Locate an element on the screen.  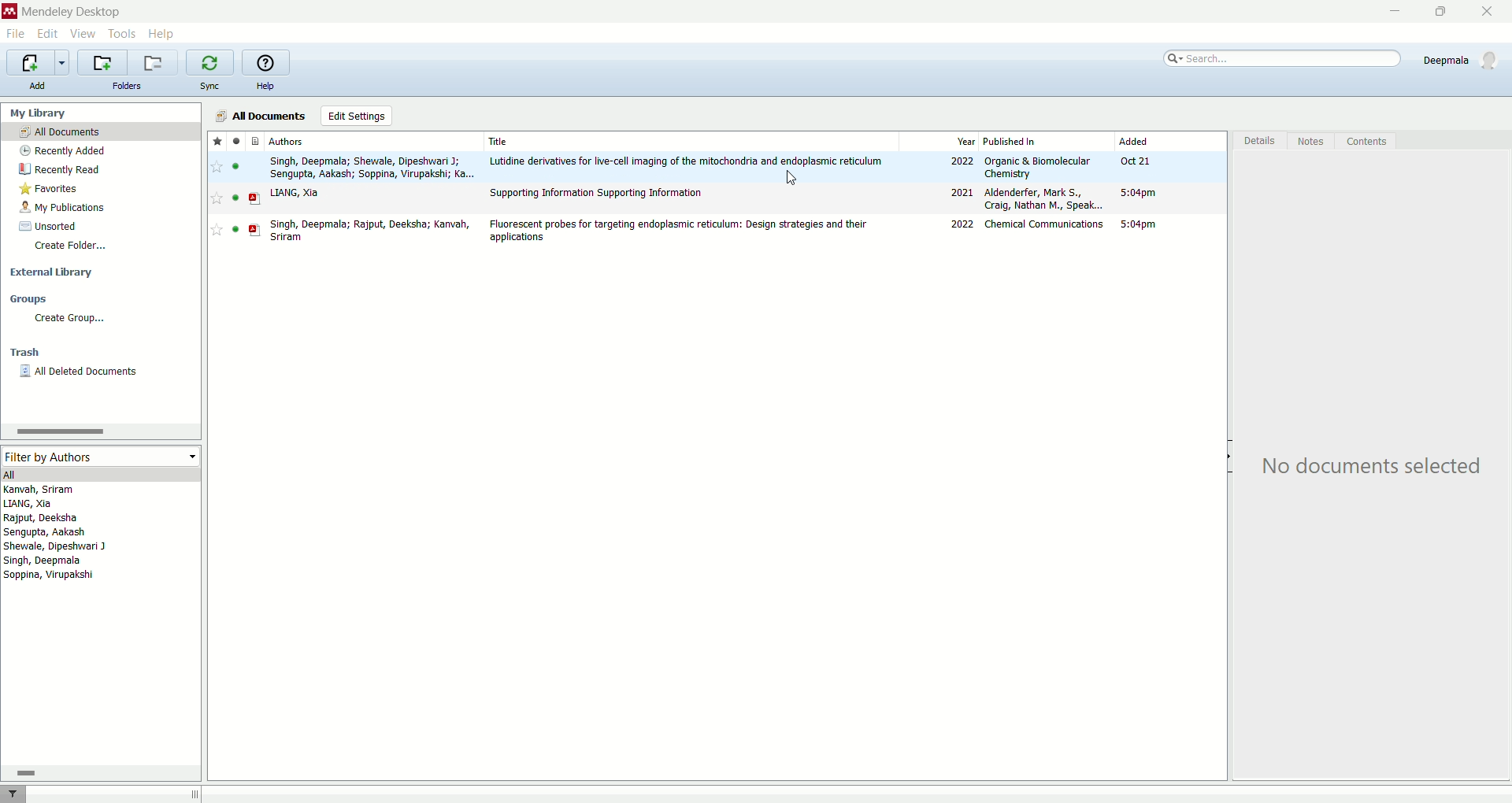
authors is located at coordinates (287, 141).